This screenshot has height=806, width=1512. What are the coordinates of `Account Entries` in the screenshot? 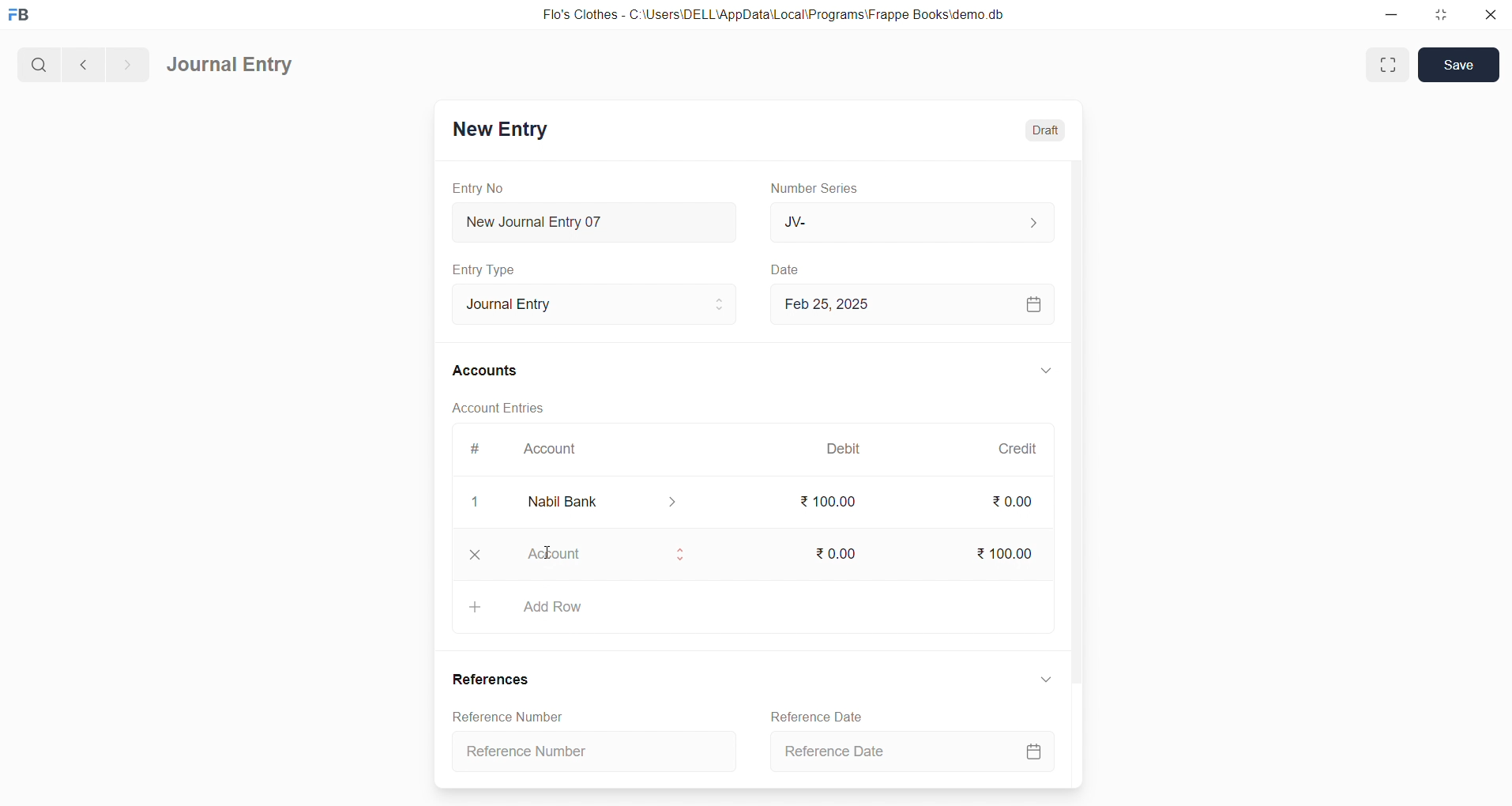 It's located at (500, 410).